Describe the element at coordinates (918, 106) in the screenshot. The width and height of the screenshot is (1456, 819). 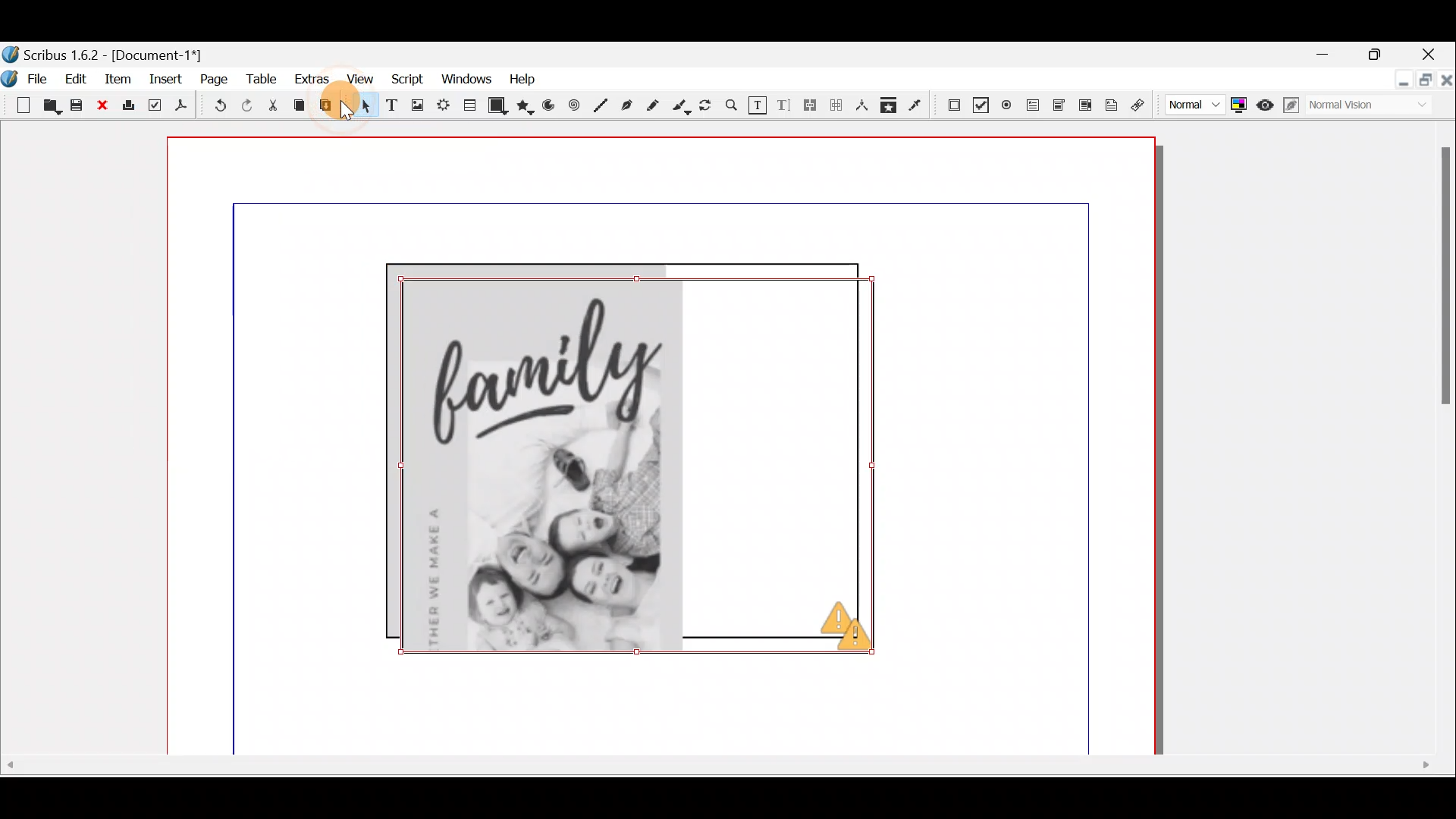
I see `Eye dropper` at that location.